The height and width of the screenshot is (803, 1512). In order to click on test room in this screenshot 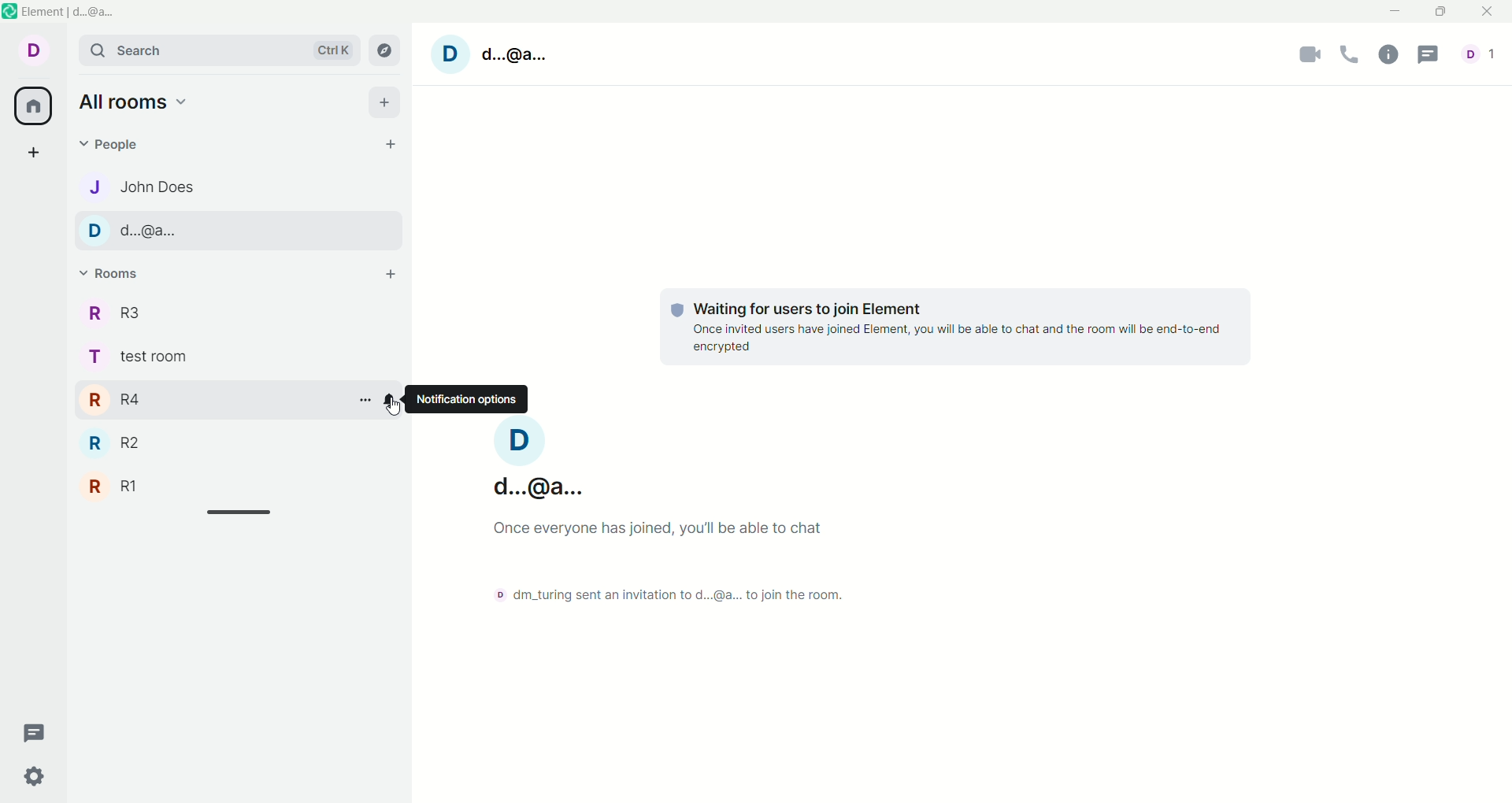, I will do `click(238, 356)`.